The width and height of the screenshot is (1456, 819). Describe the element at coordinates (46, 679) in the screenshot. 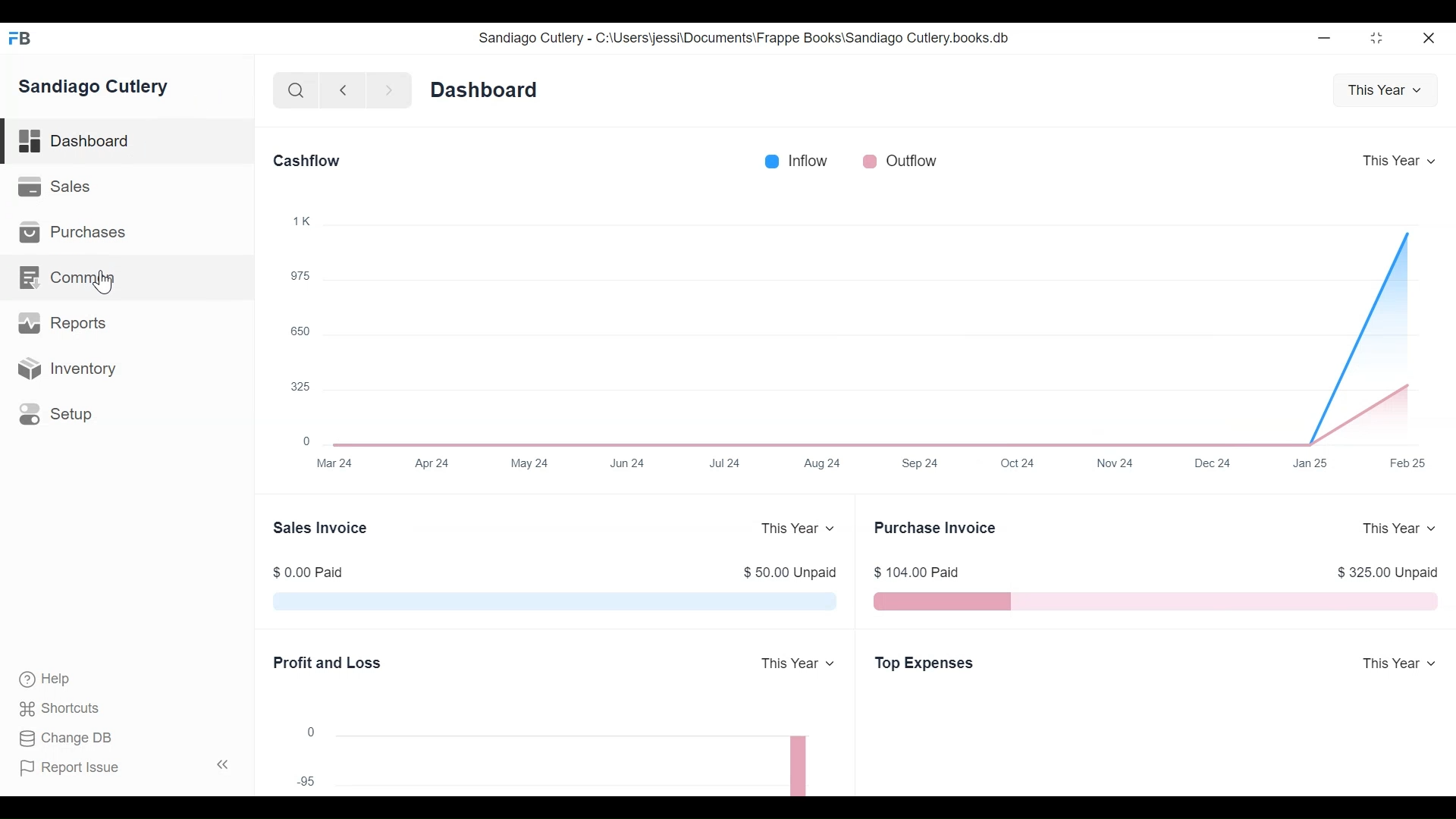

I see `Help` at that location.